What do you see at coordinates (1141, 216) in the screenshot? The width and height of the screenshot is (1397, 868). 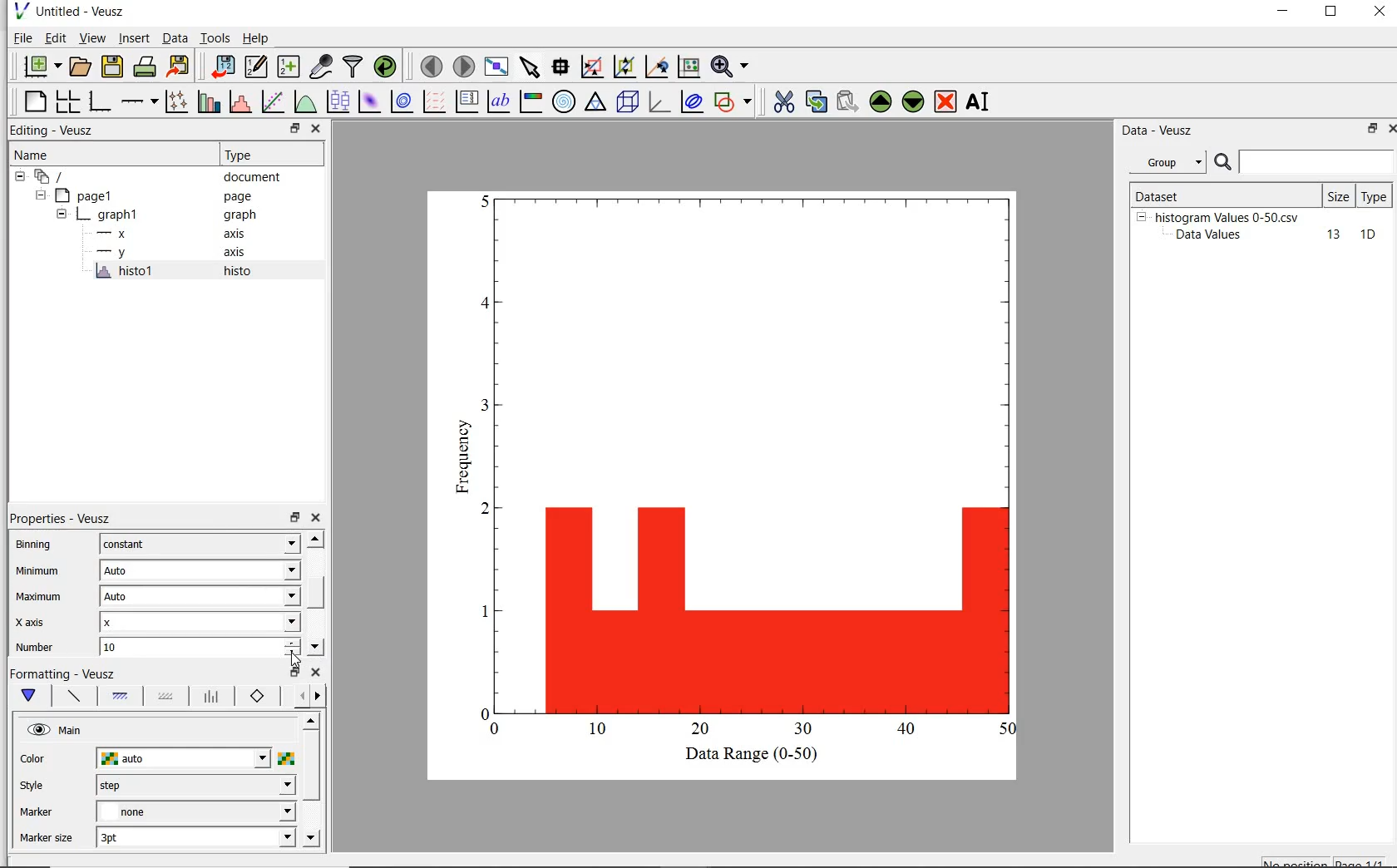 I see `hide` at bounding box center [1141, 216].